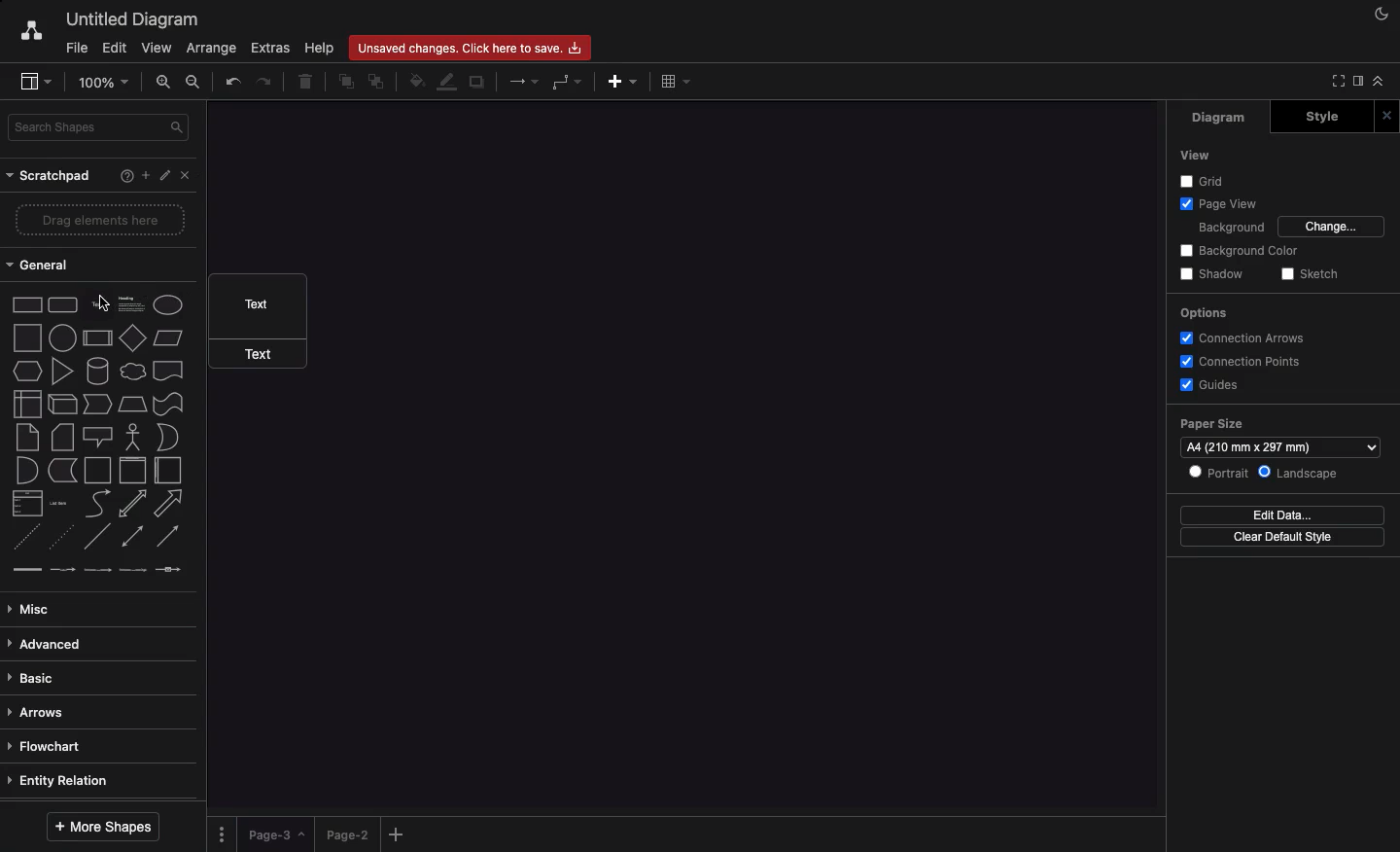  What do you see at coordinates (1240, 337) in the screenshot?
I see `Connection arrows` at bounding box center [1240, 337].